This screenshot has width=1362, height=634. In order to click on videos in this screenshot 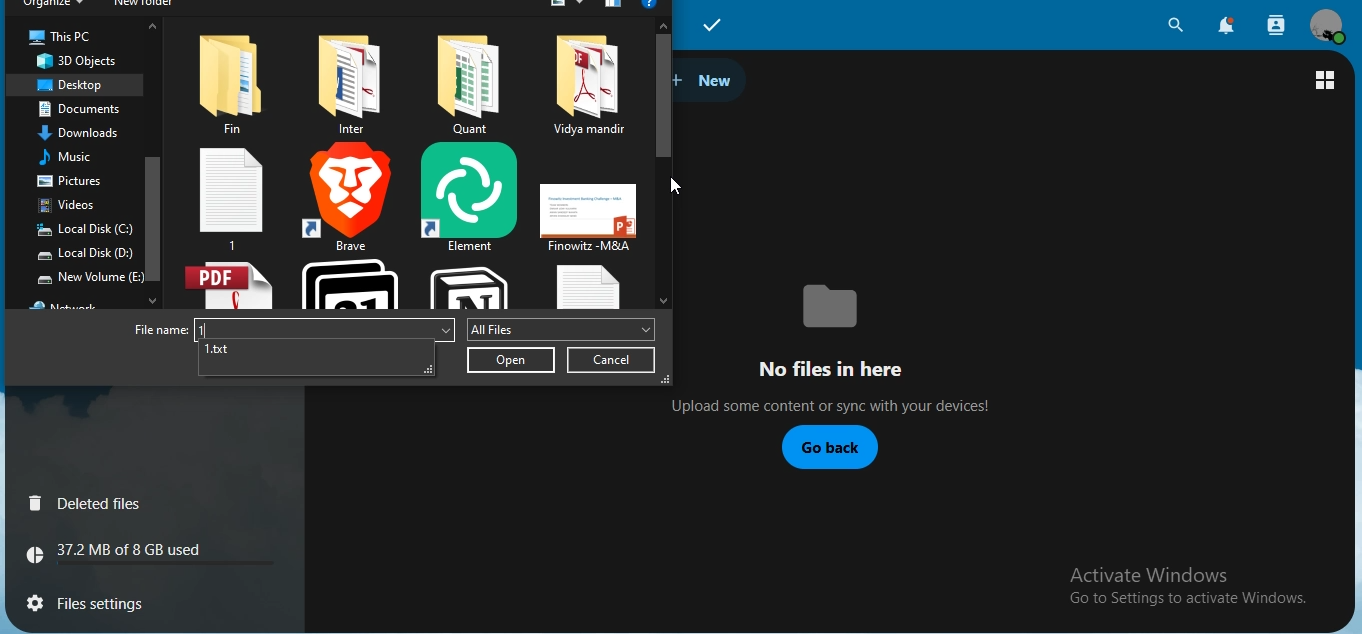, I will do `click(74, 204)`.